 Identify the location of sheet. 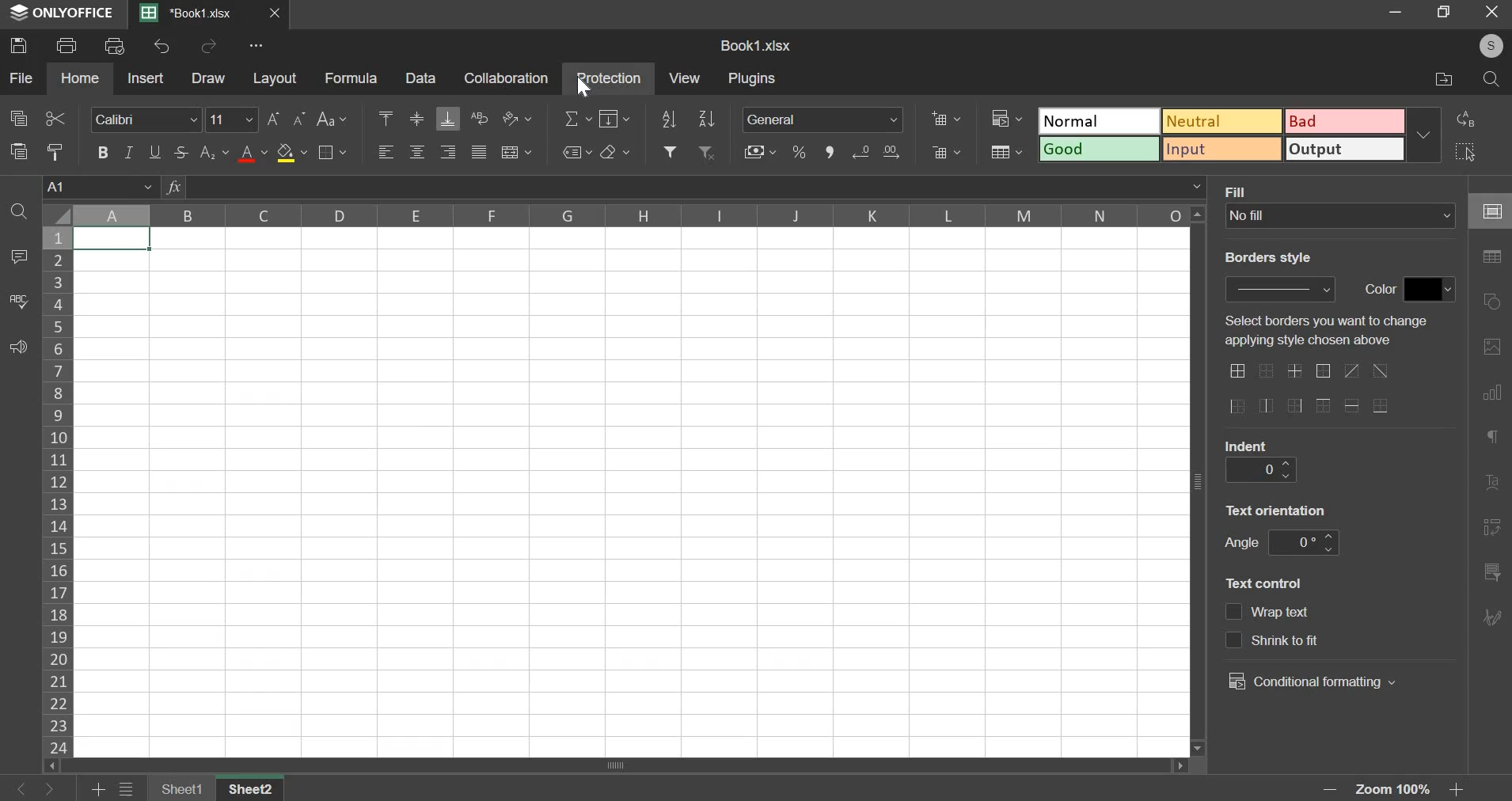
(184, 788).